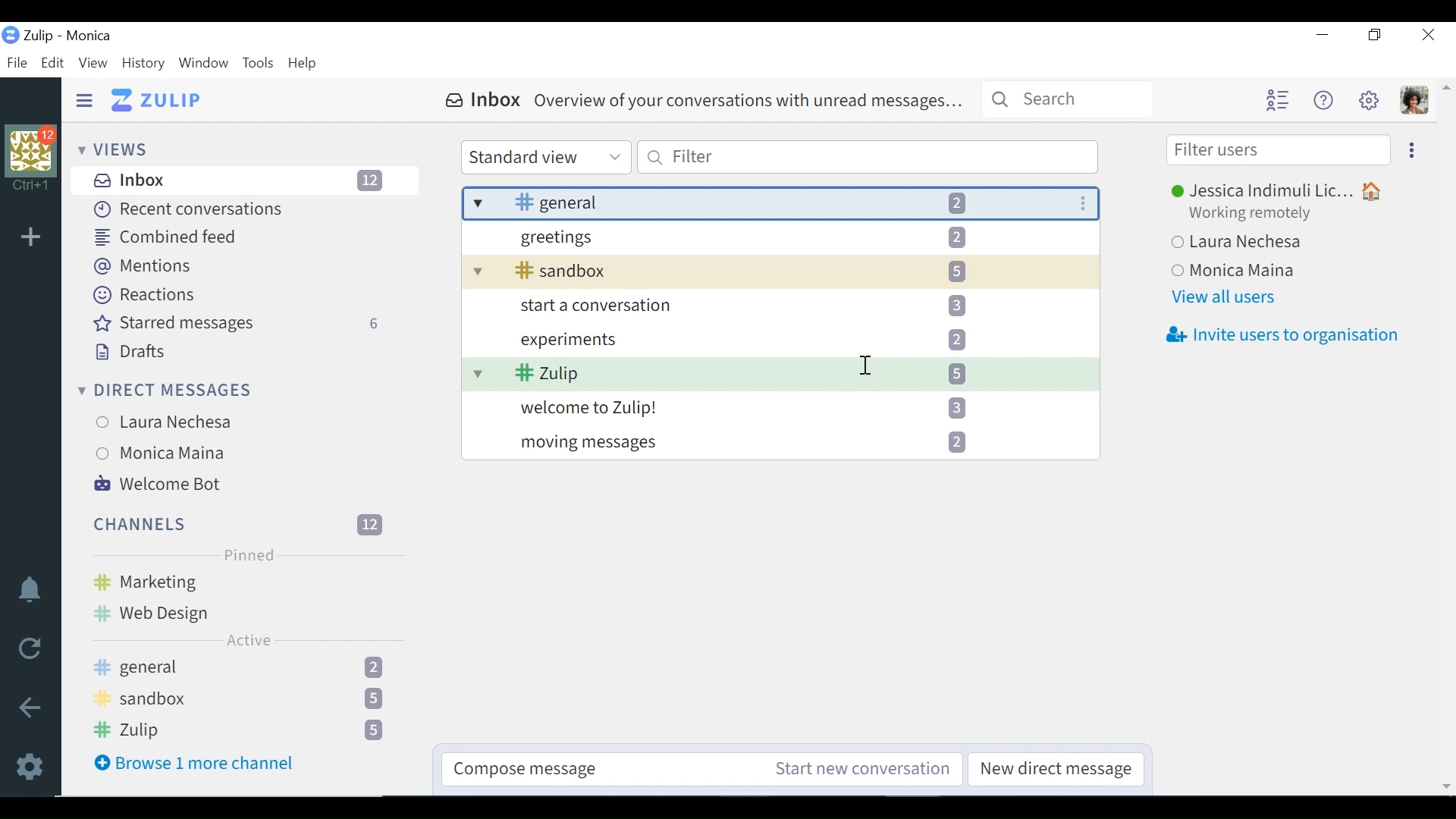  I want to click on View all users, so click(1232, 297).